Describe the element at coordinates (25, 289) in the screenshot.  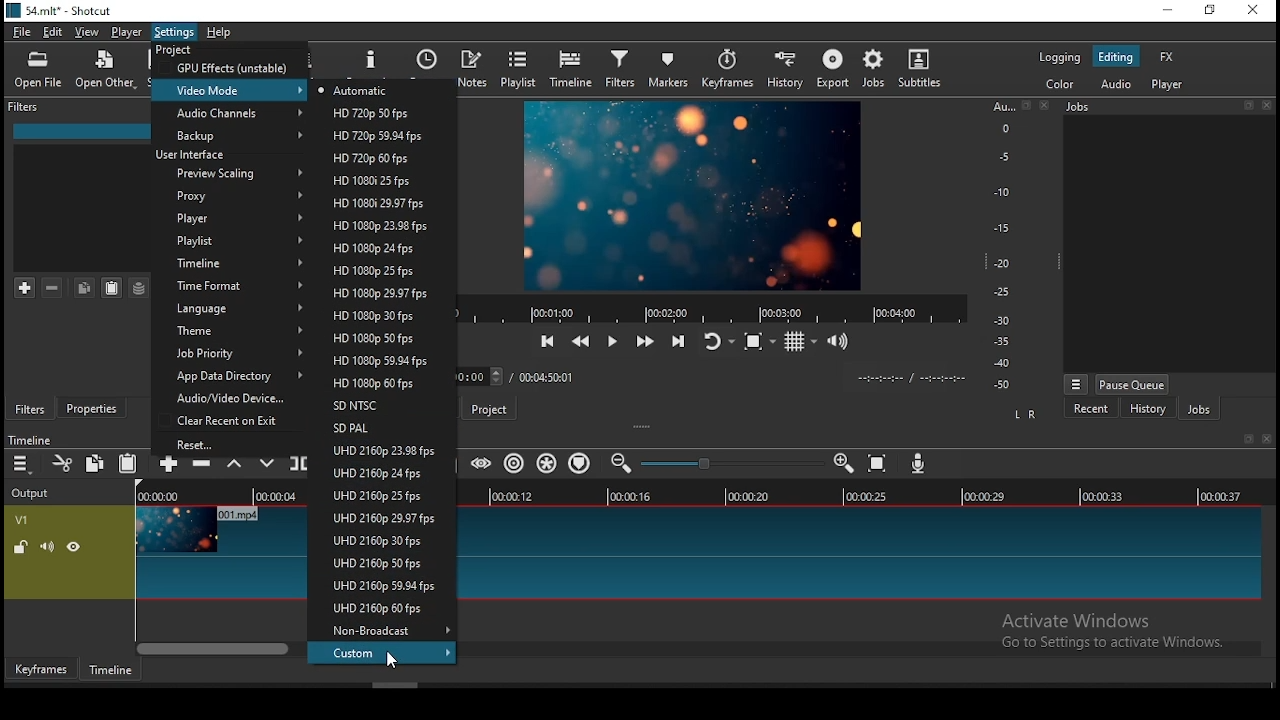
I see `add filter` at that location.